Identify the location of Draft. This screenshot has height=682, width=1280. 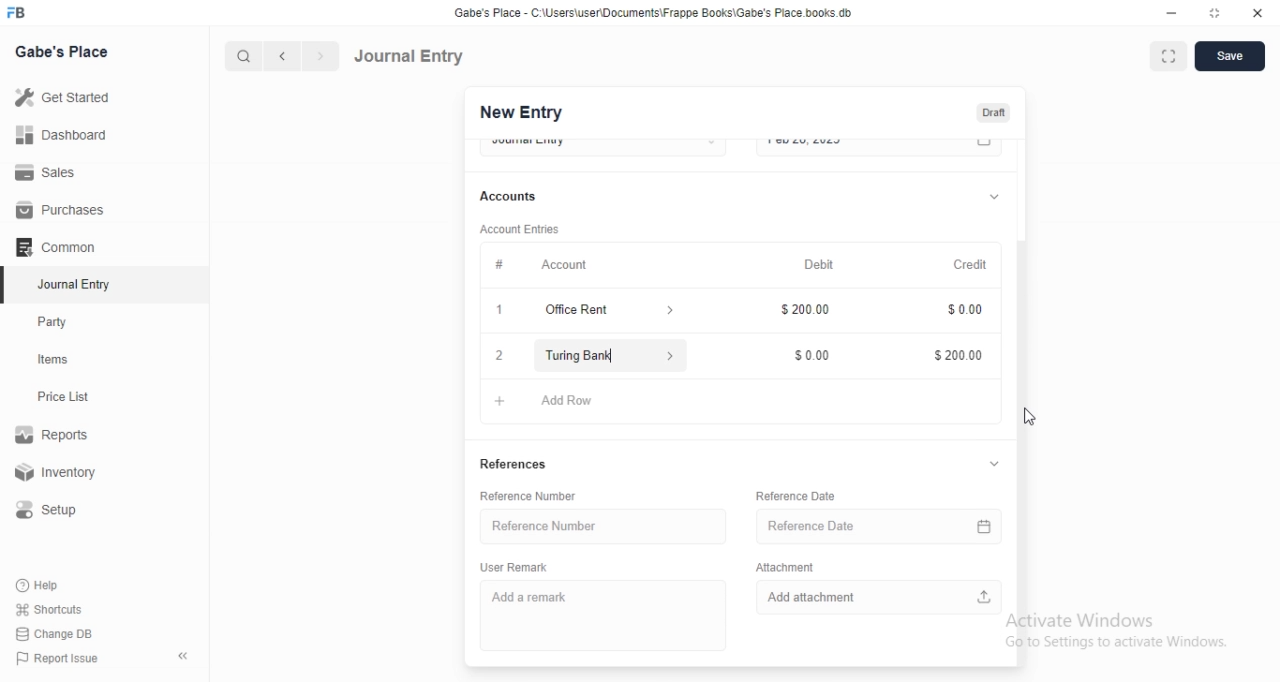
(993, 113).